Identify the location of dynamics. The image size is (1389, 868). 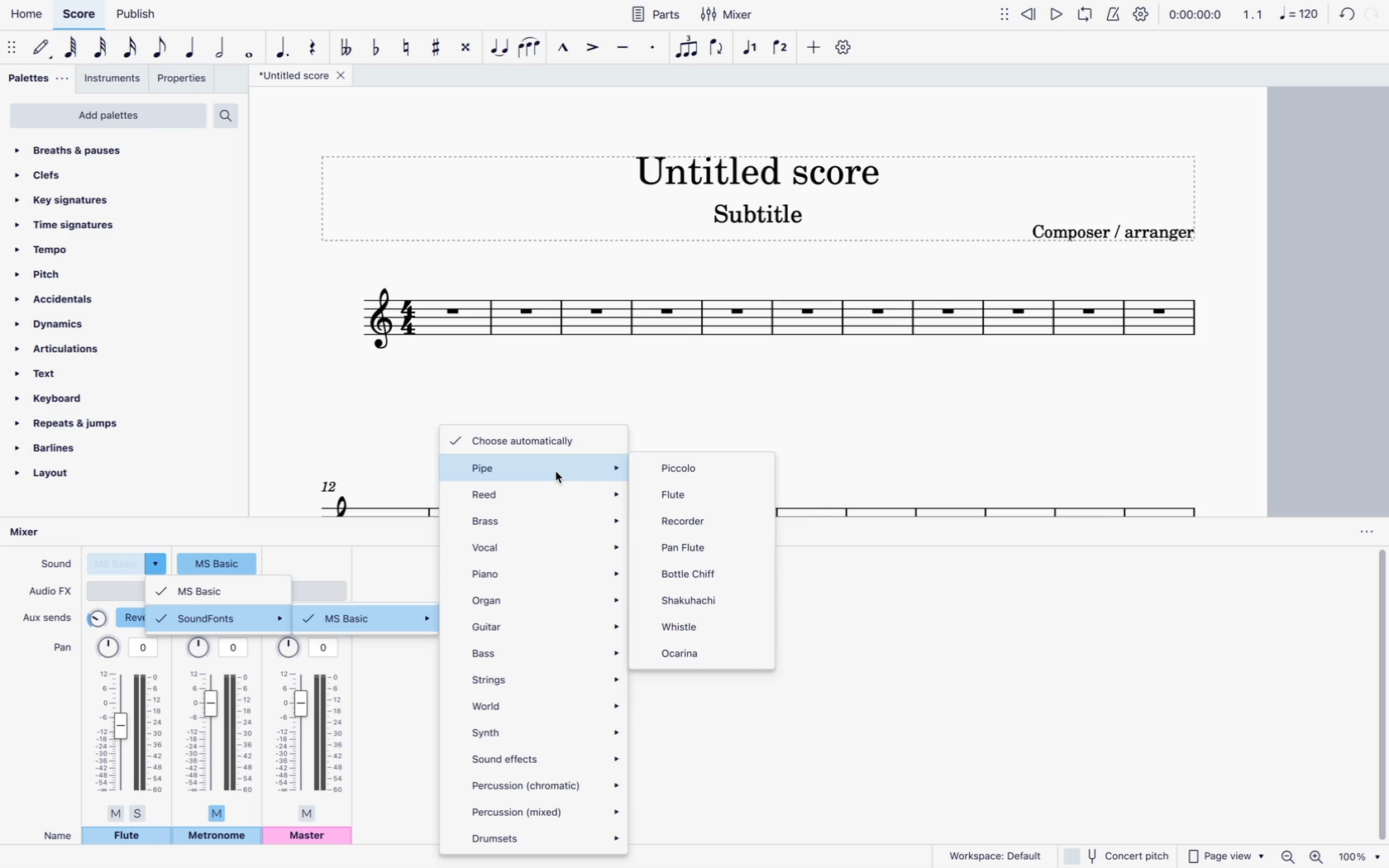
(59, 325).